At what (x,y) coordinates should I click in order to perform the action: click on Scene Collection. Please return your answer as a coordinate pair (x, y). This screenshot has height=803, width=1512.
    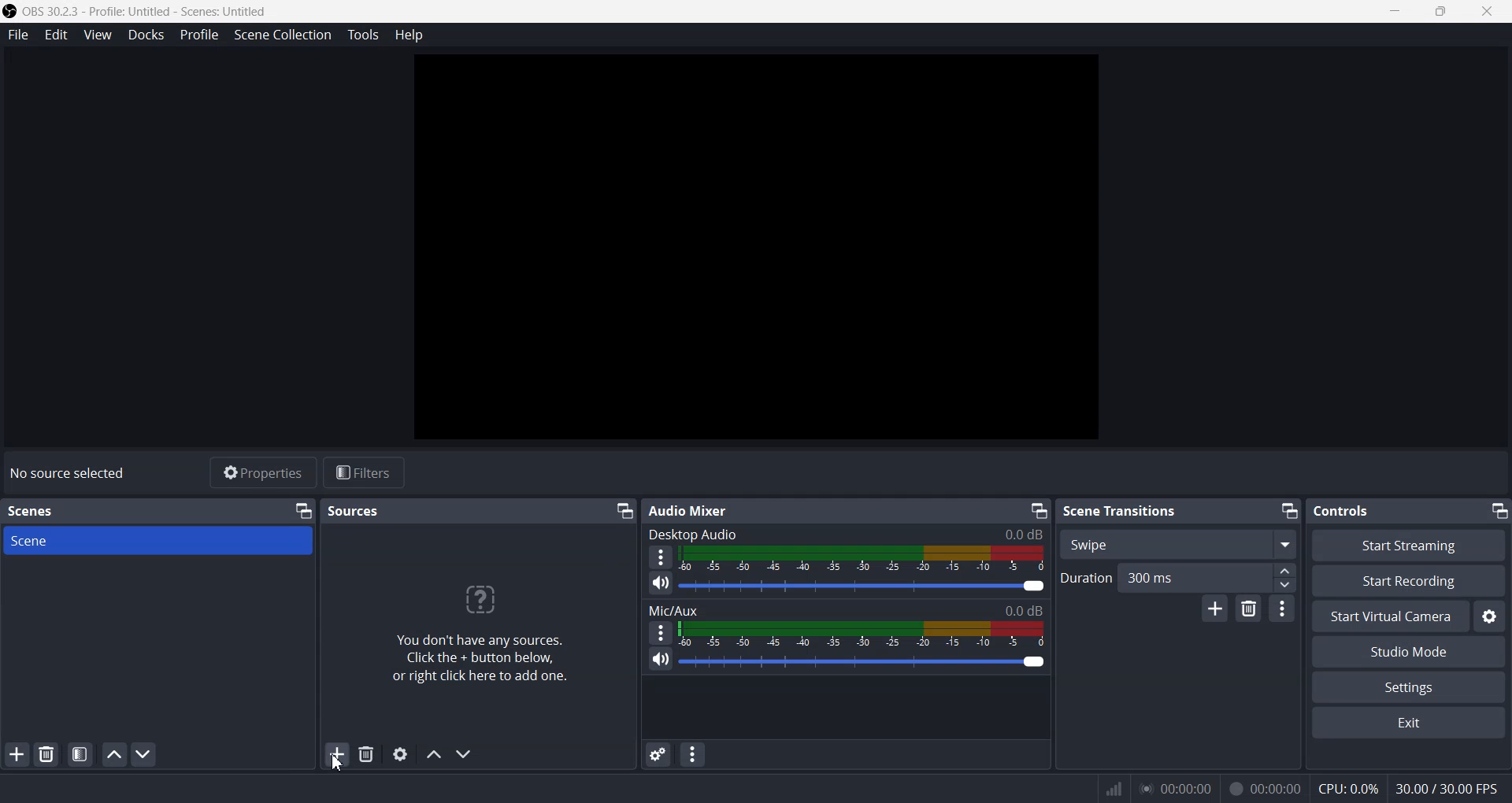
    Looking at the image, I should click on (283, 35).